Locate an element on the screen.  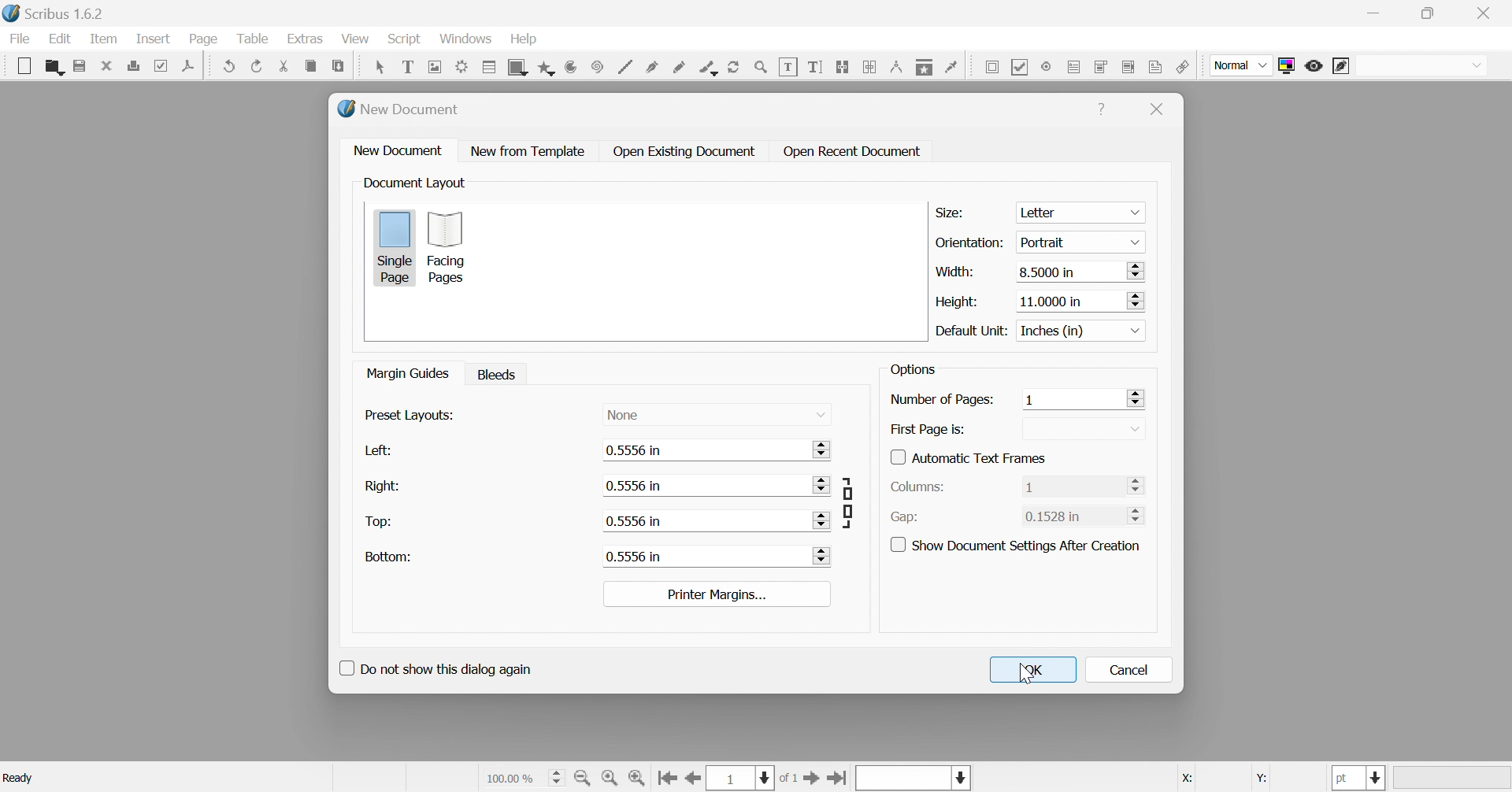
bottom is located at coordinates (380, 558).